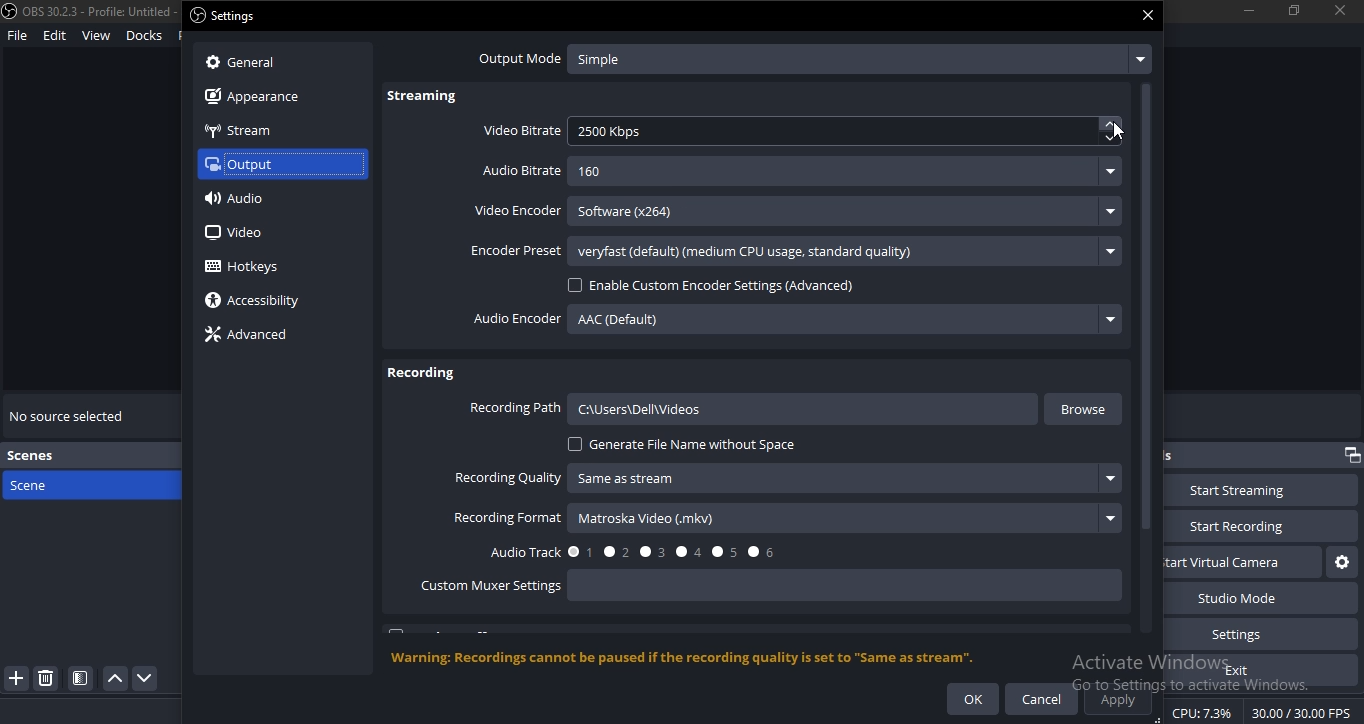  I want to click on down, so click(1109, 139).